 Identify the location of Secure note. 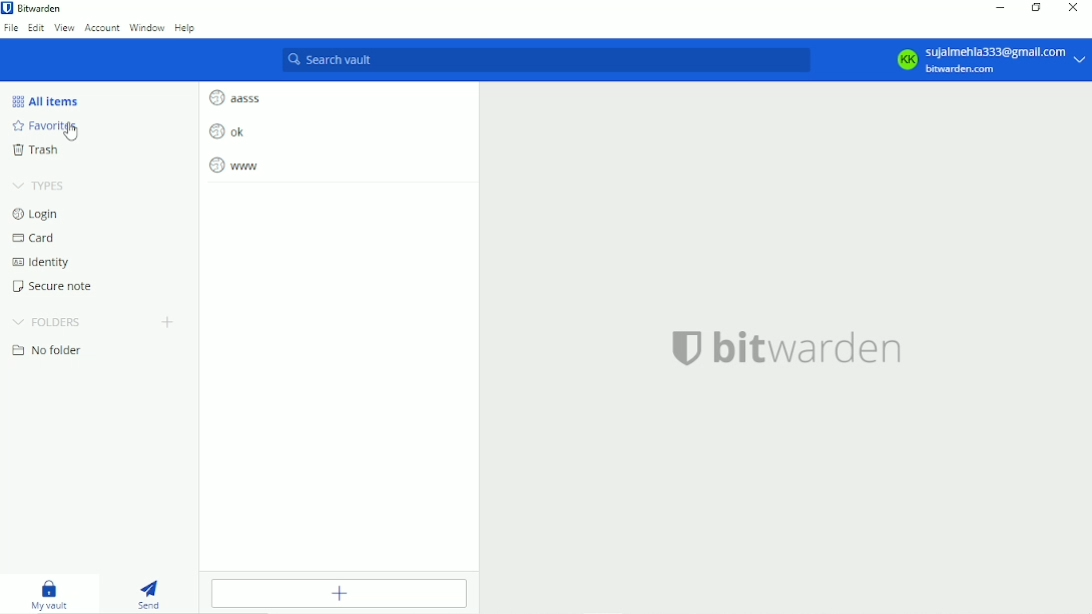
(57, 286).